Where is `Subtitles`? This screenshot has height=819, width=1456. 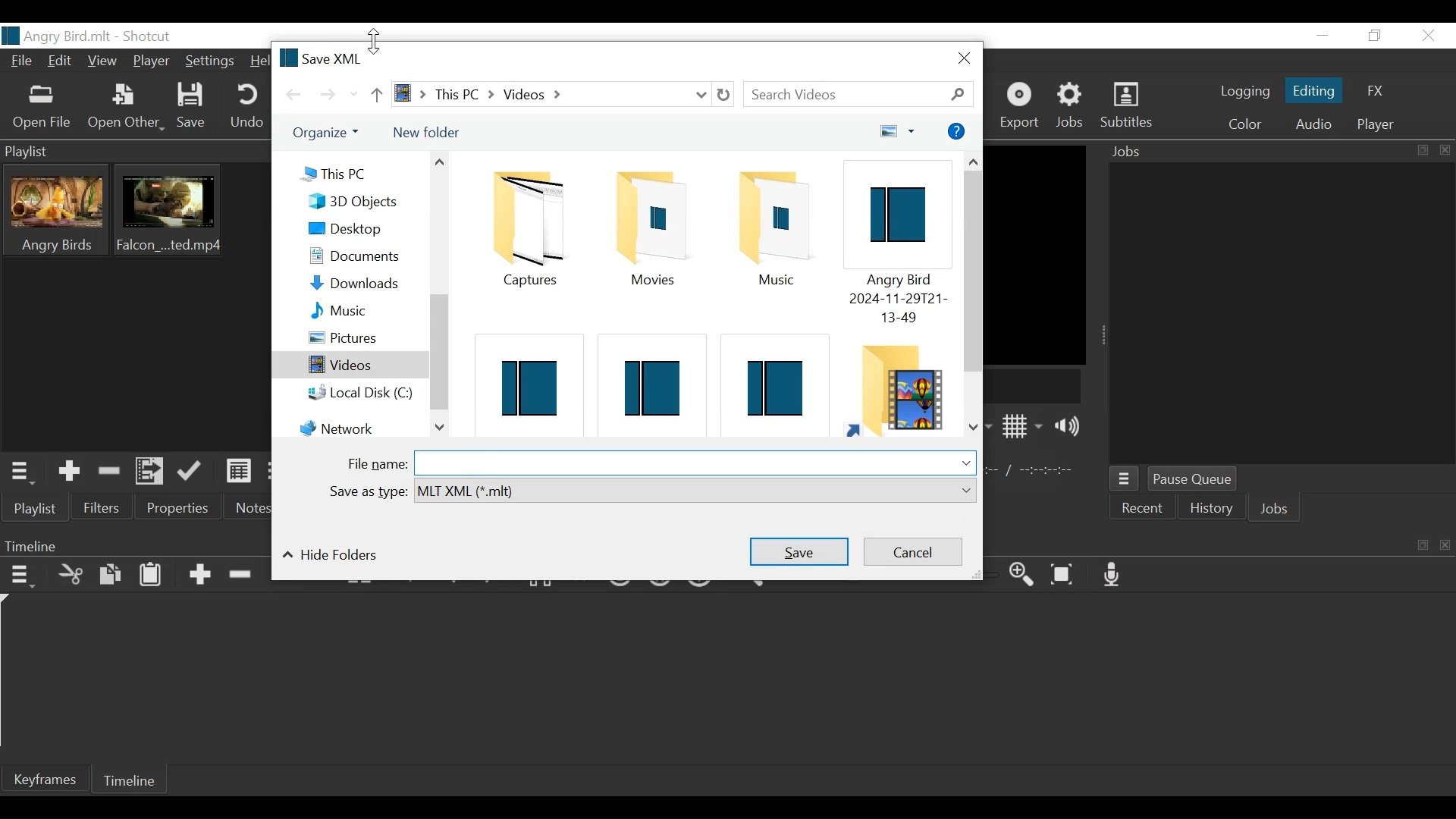 Subtitles is located at coordinates (1125, 107).